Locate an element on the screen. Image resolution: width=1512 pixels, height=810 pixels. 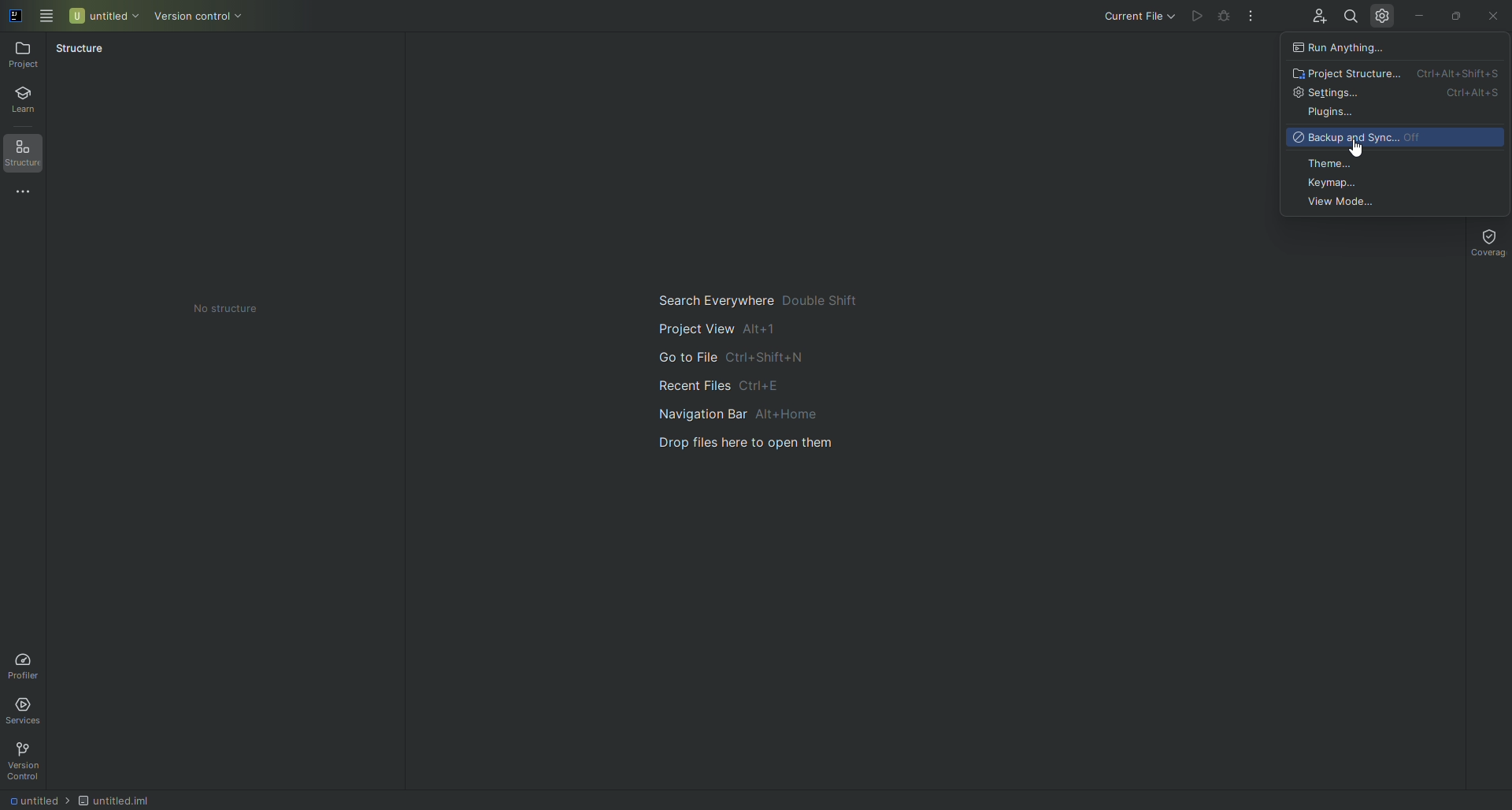
Untitled is located at coordinates (105, 15).